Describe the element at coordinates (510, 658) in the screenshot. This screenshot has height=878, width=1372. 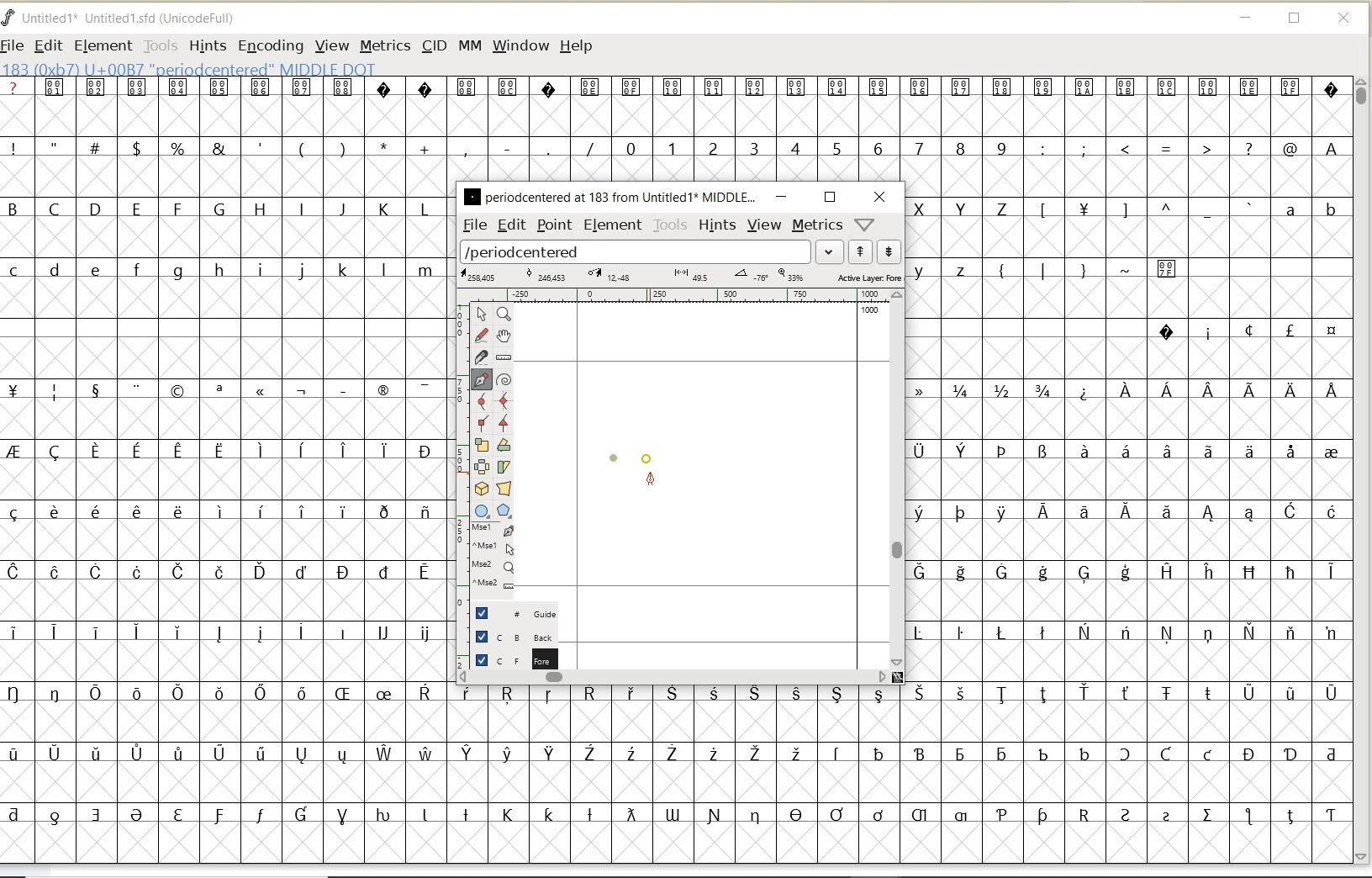
I see `foreground` at that location.